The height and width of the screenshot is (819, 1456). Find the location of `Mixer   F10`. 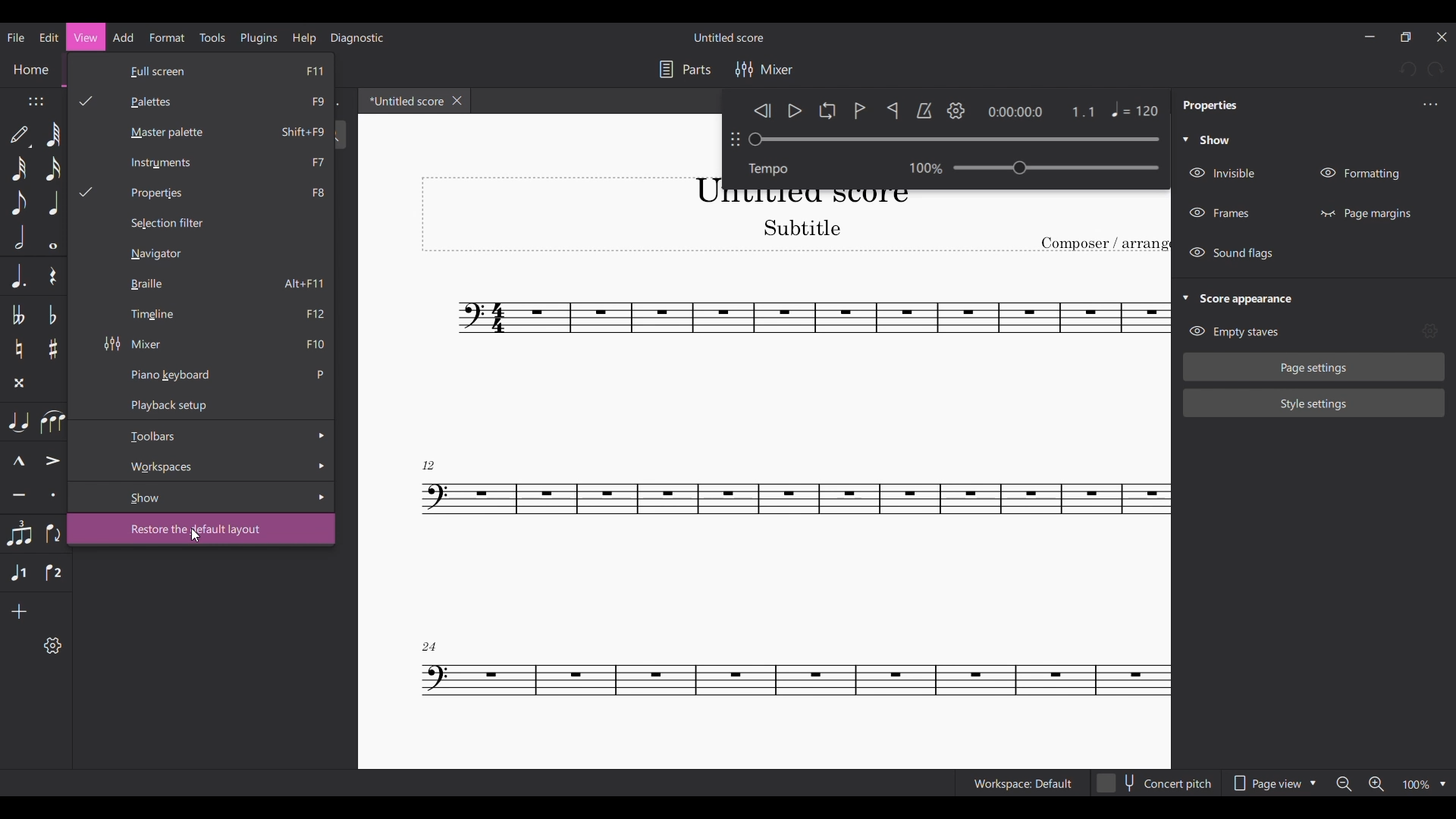

Mixer   F10 is located at coordinates (215, 344).